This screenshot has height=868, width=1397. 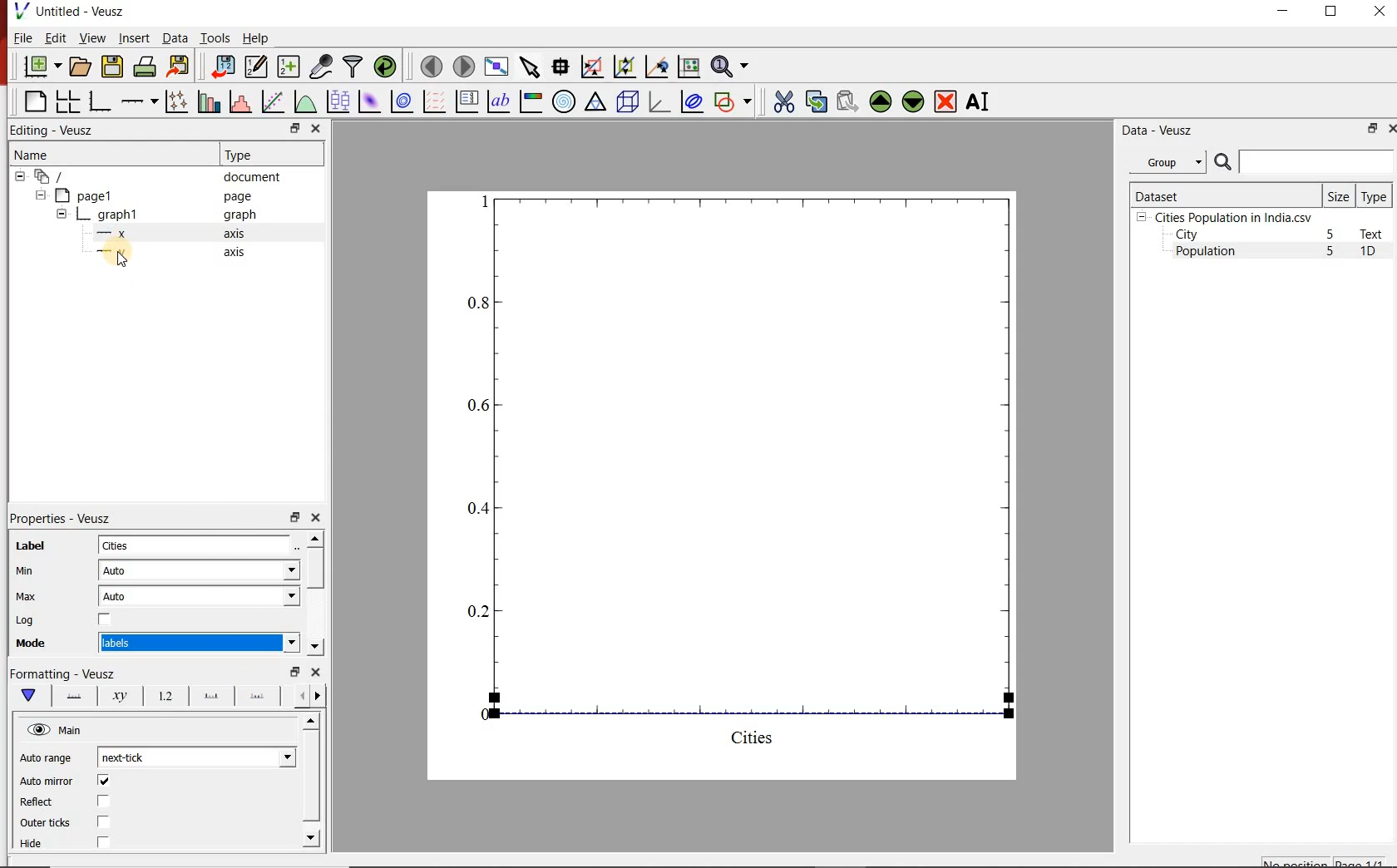 What do you see at coordinates (64, 674) in the screenshot?
I see `Formatting - Veusz` at bounding box center [64, 674].